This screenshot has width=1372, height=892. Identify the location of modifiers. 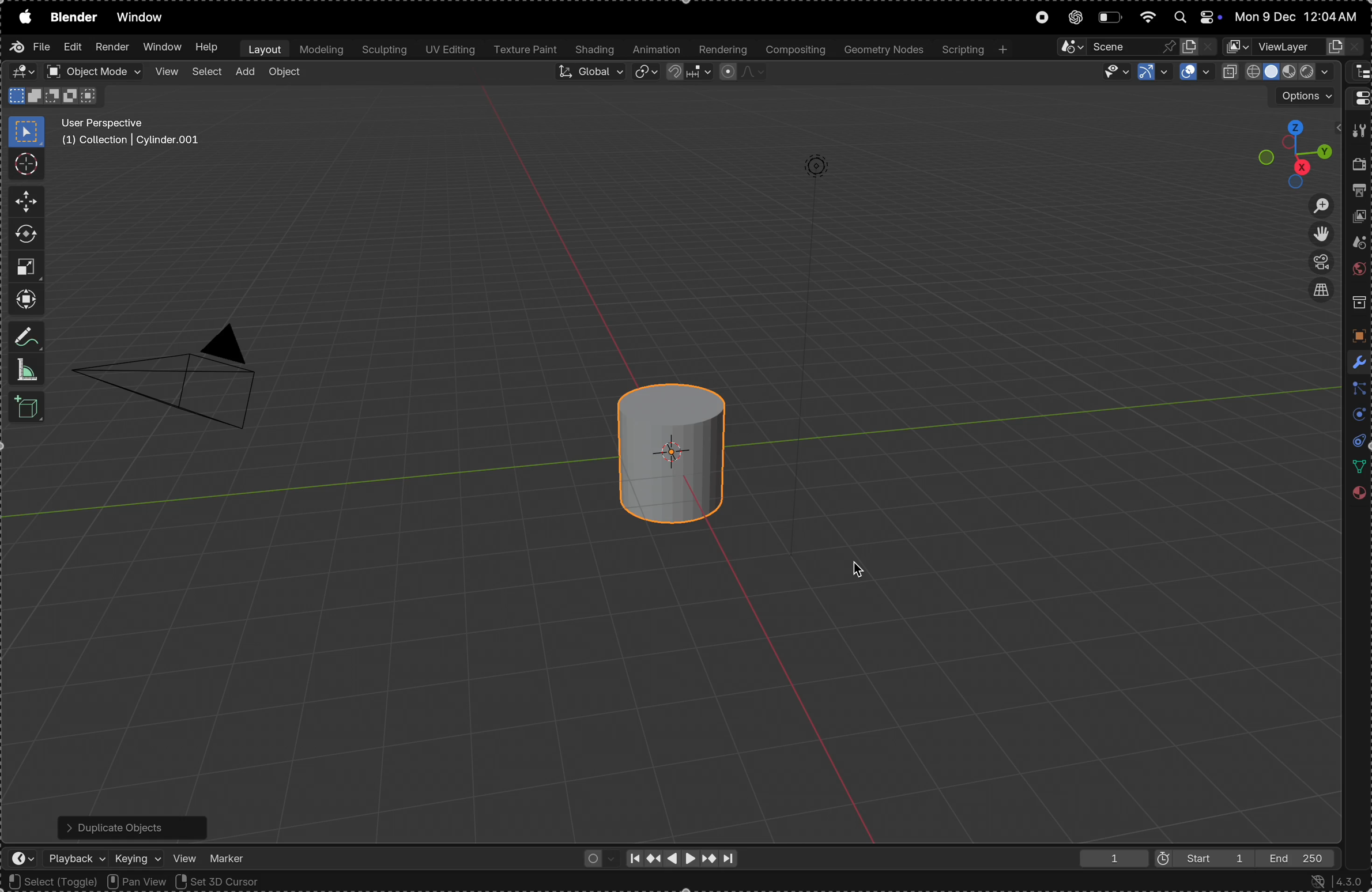
(1356, 361).